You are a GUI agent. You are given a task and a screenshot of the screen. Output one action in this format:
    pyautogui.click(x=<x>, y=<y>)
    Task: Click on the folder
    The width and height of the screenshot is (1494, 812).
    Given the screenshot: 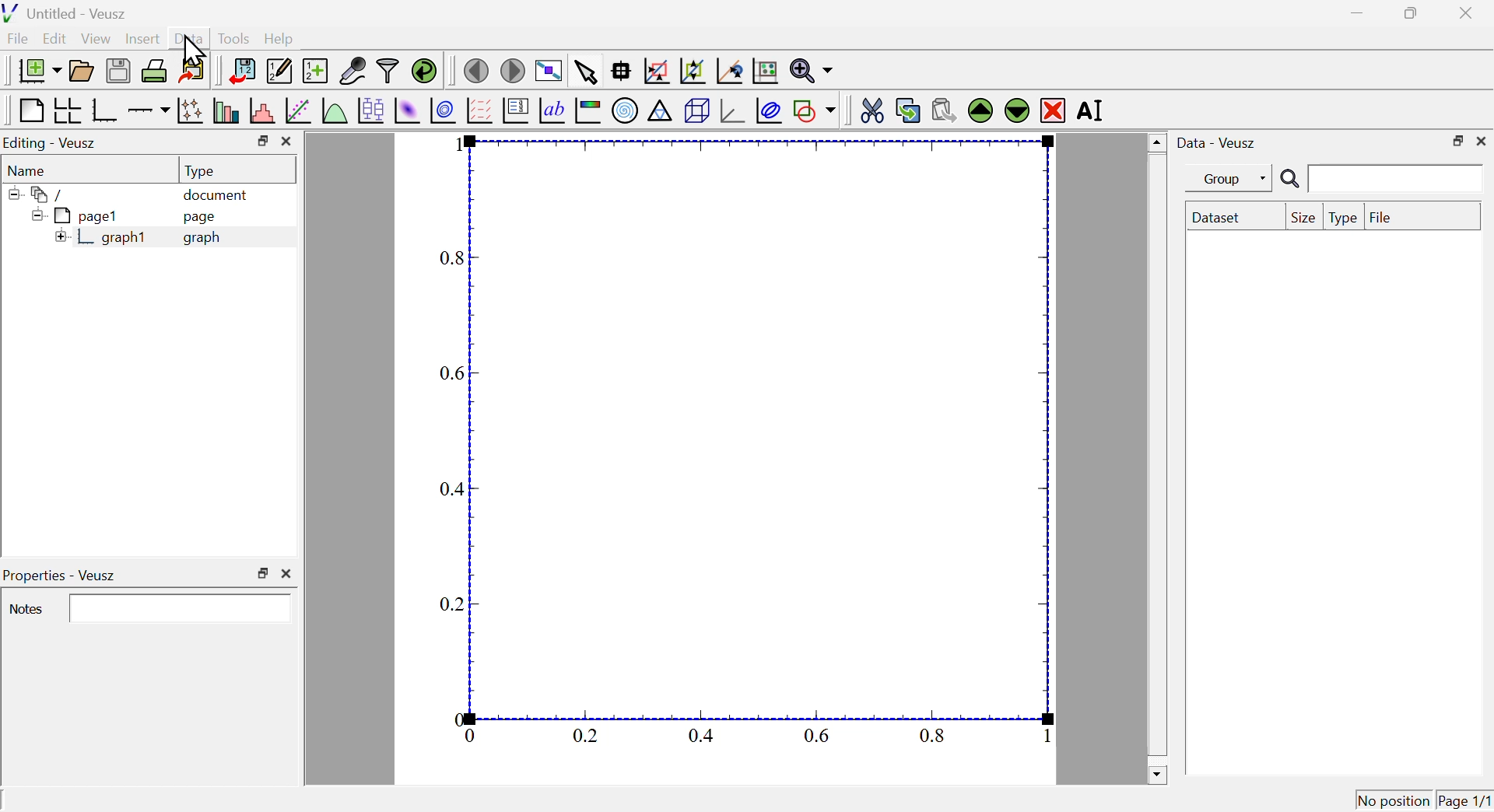 What is the action you would take?
    pyautogui.click(x=43, y=194)
    